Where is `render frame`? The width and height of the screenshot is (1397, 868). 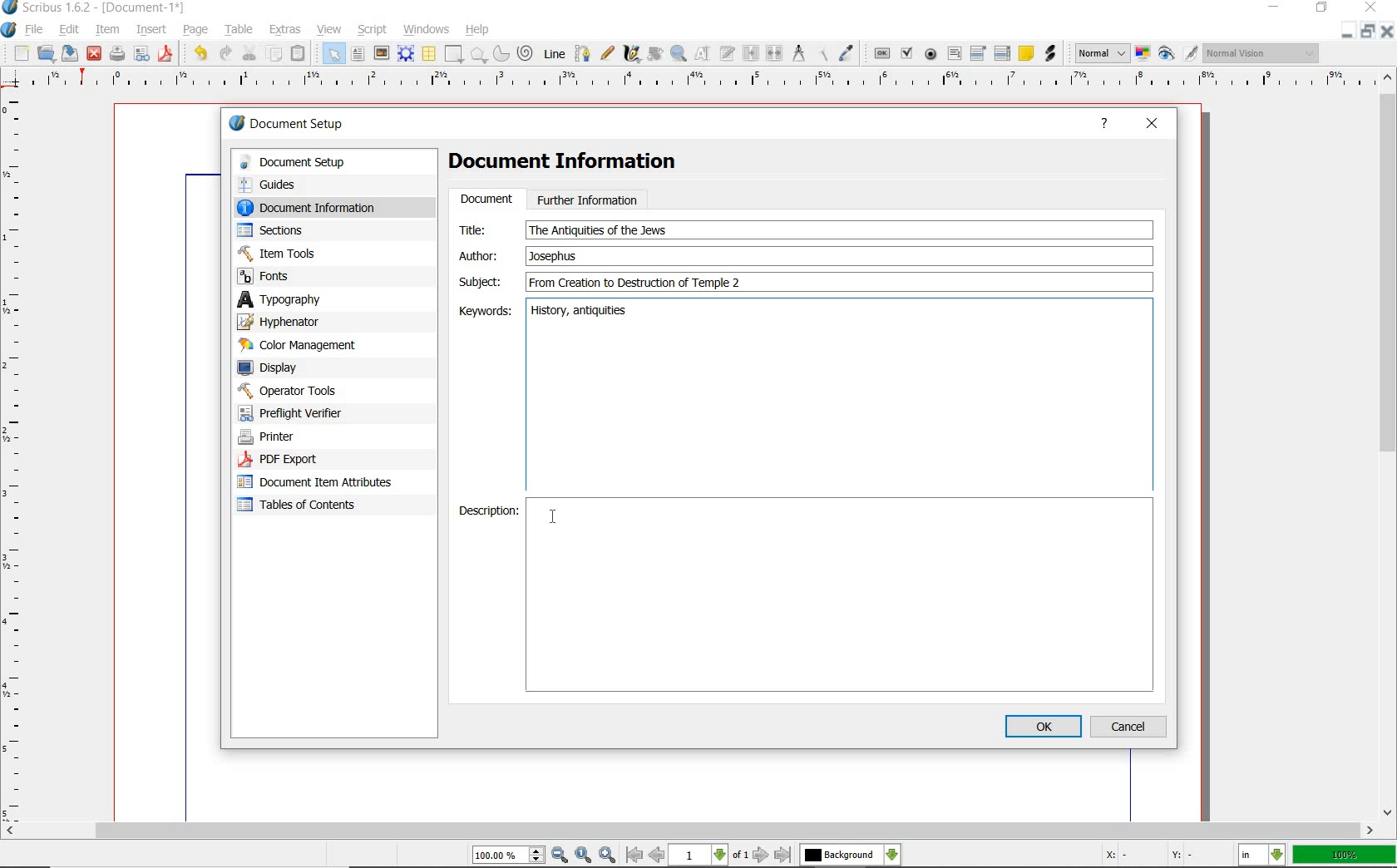 render frame is located at coordinates (406, 54).